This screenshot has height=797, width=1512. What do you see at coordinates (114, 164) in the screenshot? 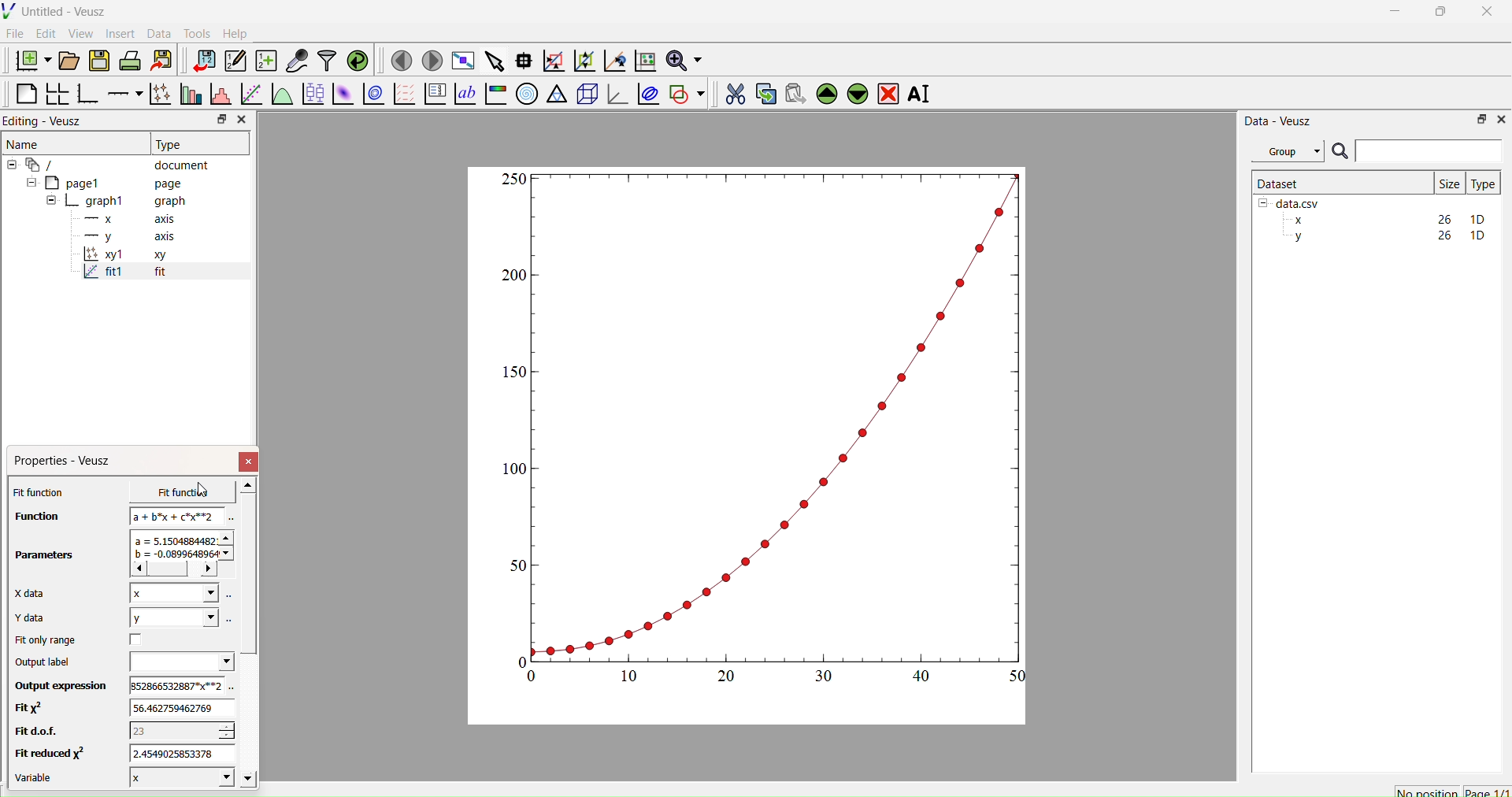
I see `document` at bounding box center [114, 164].